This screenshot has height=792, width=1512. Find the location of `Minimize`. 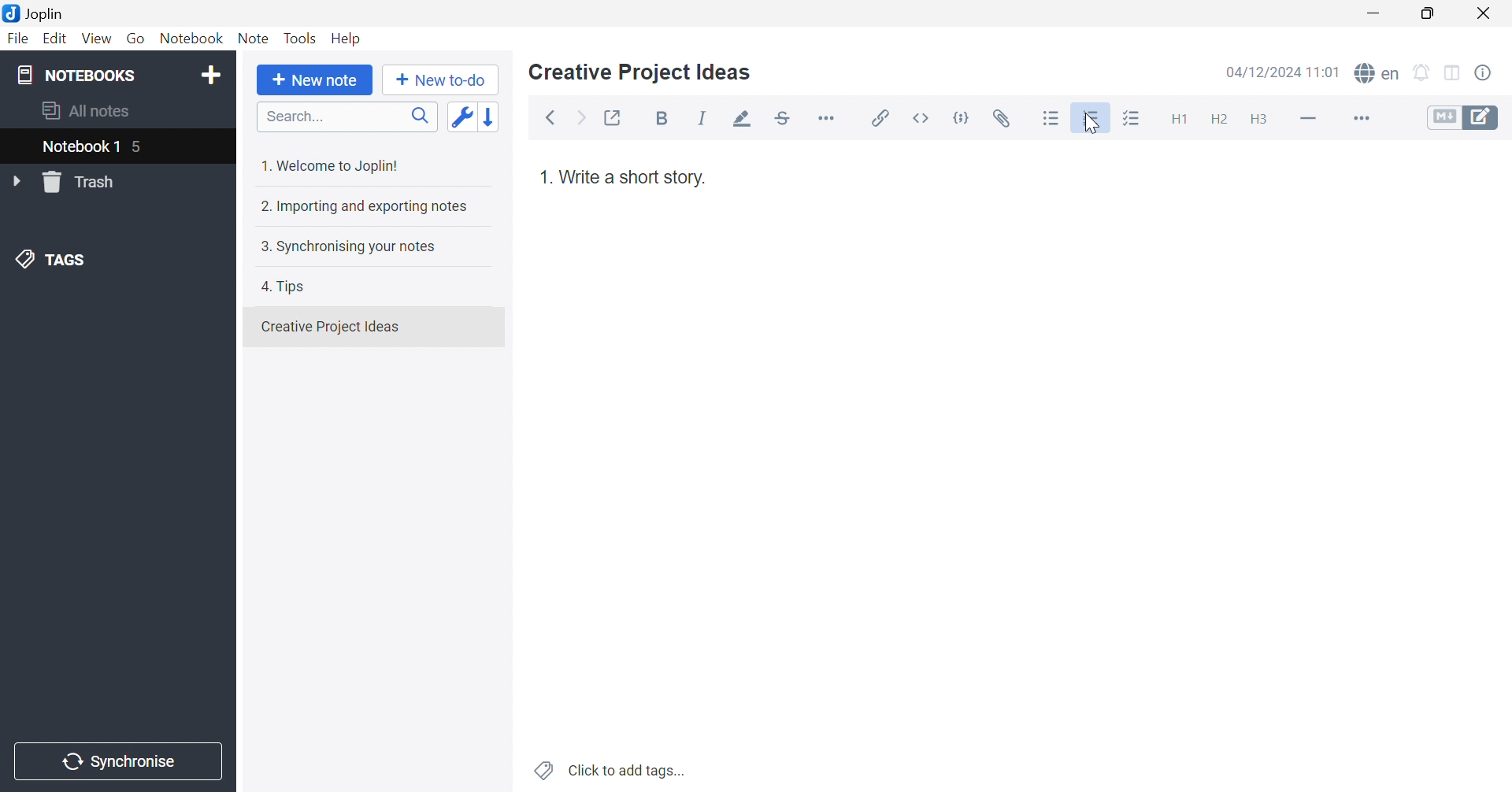

Minimize is located at coordinates (1379, 13).